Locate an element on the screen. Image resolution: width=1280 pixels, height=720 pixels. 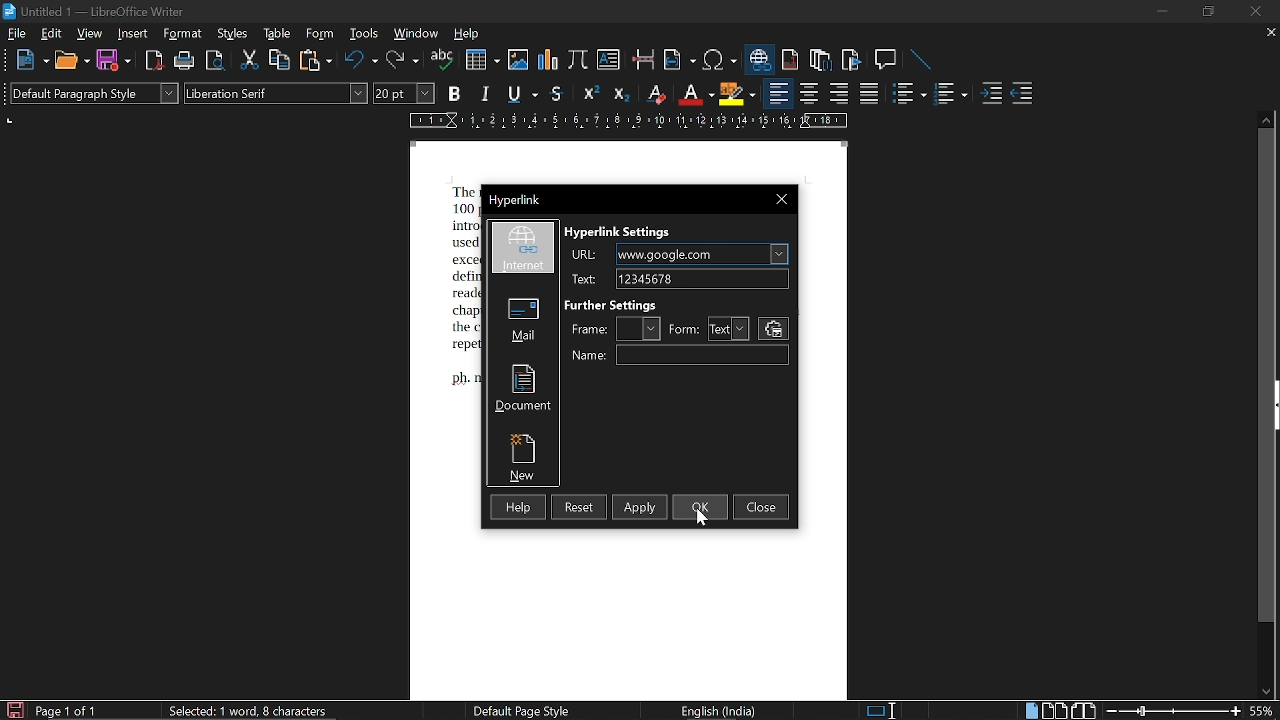
align right is located at coordinates (838, 95).